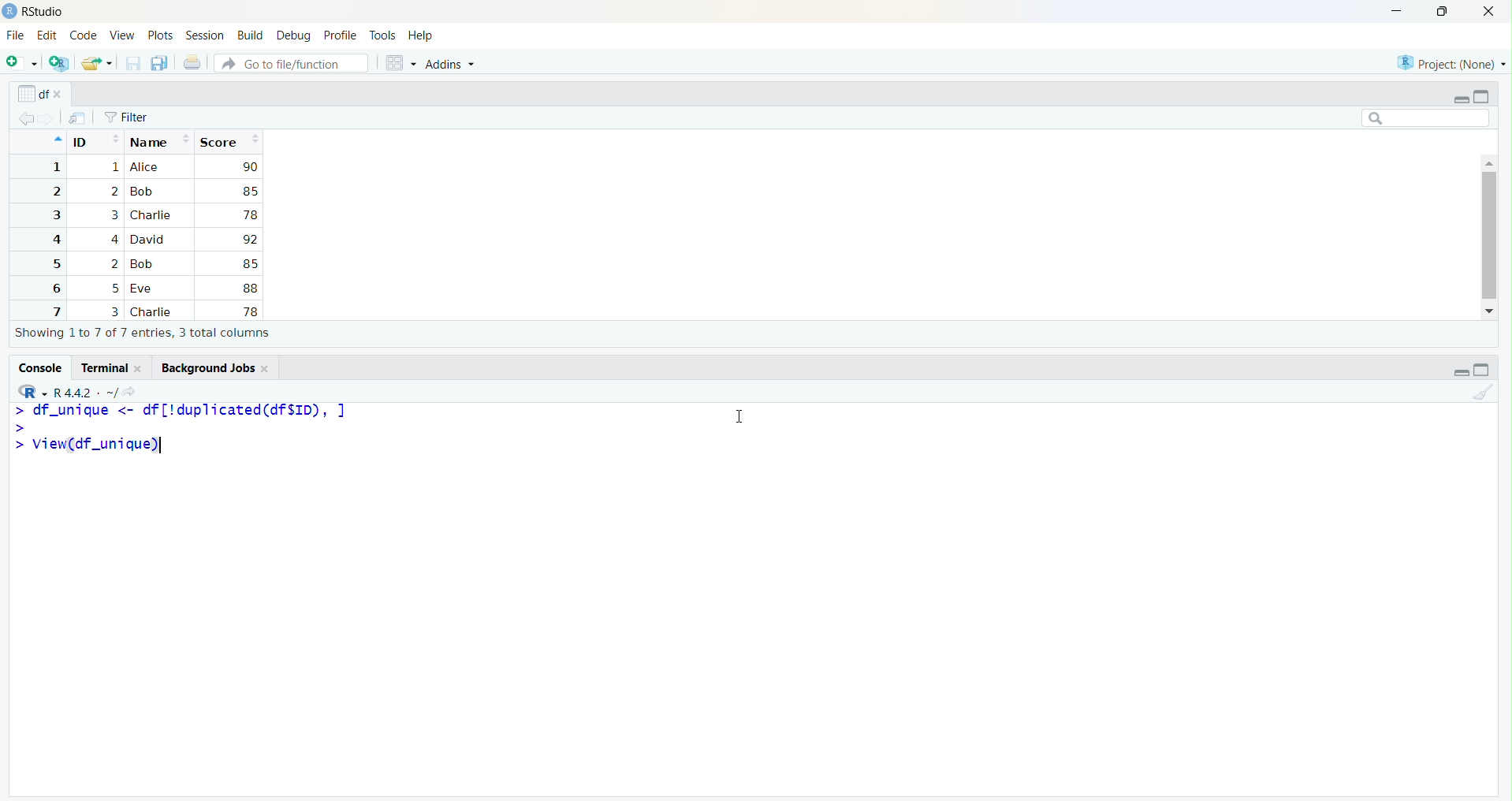 This screenshot has height=801, width=1512. What do you see at coordinates (142, 192) in the screenshot?
I see `Bob` at bounding box center [142, 192].